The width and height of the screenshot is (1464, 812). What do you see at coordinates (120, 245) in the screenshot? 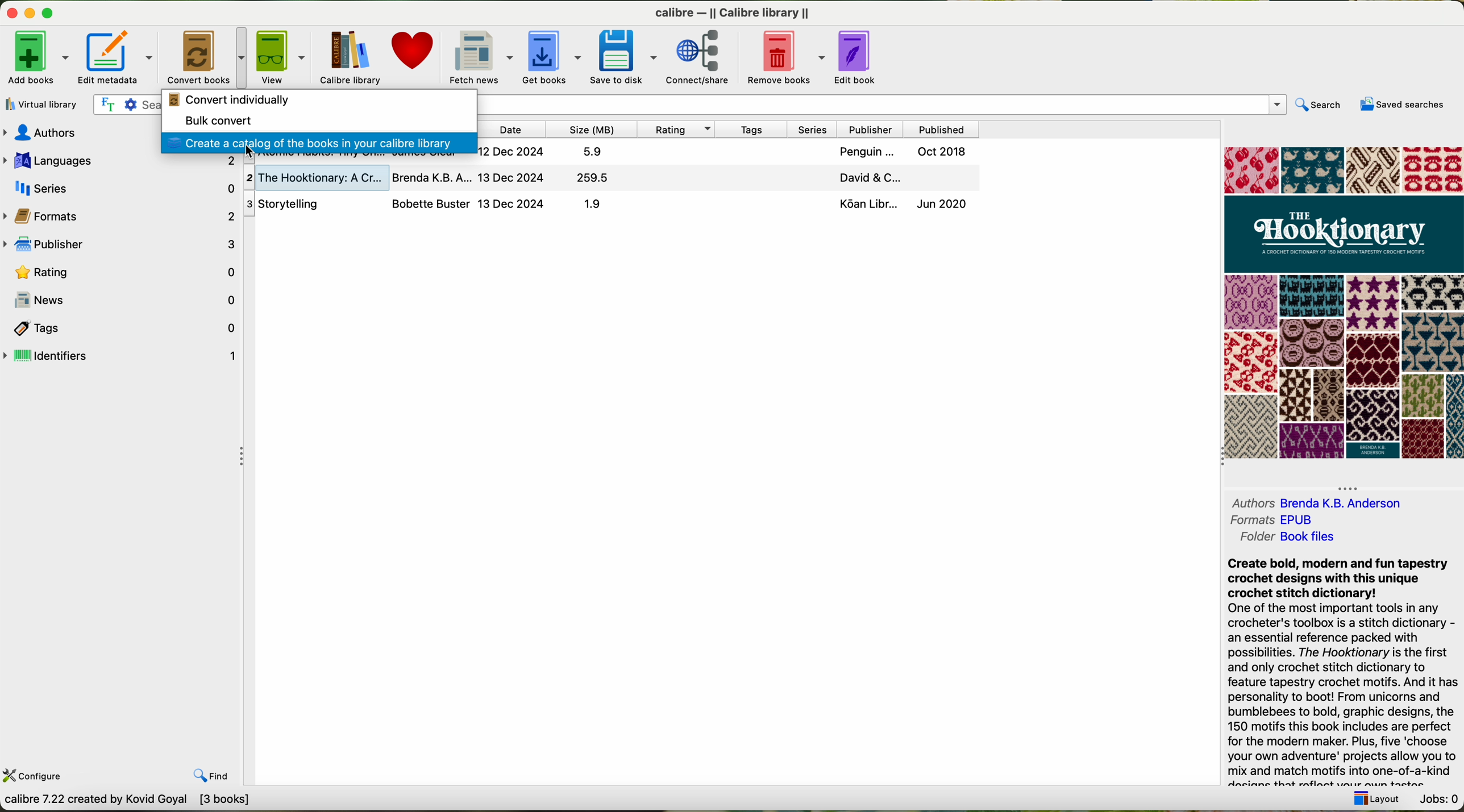
I see `publisher` at bounding box center [120, 245].